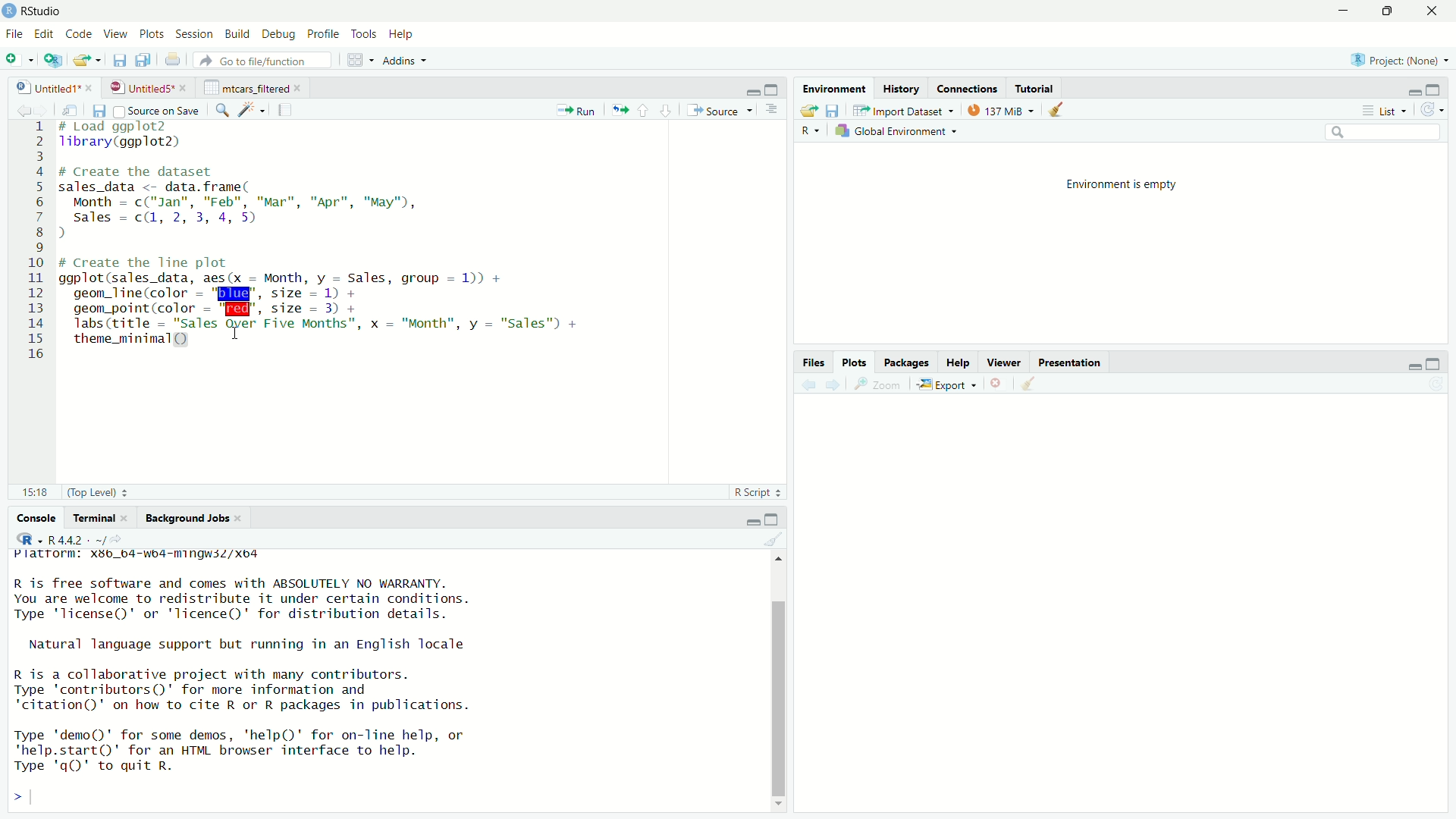  What do you see at coordinates (253, 109) in the screenshot?
I see `code tools` at bounding box center [253, 109].